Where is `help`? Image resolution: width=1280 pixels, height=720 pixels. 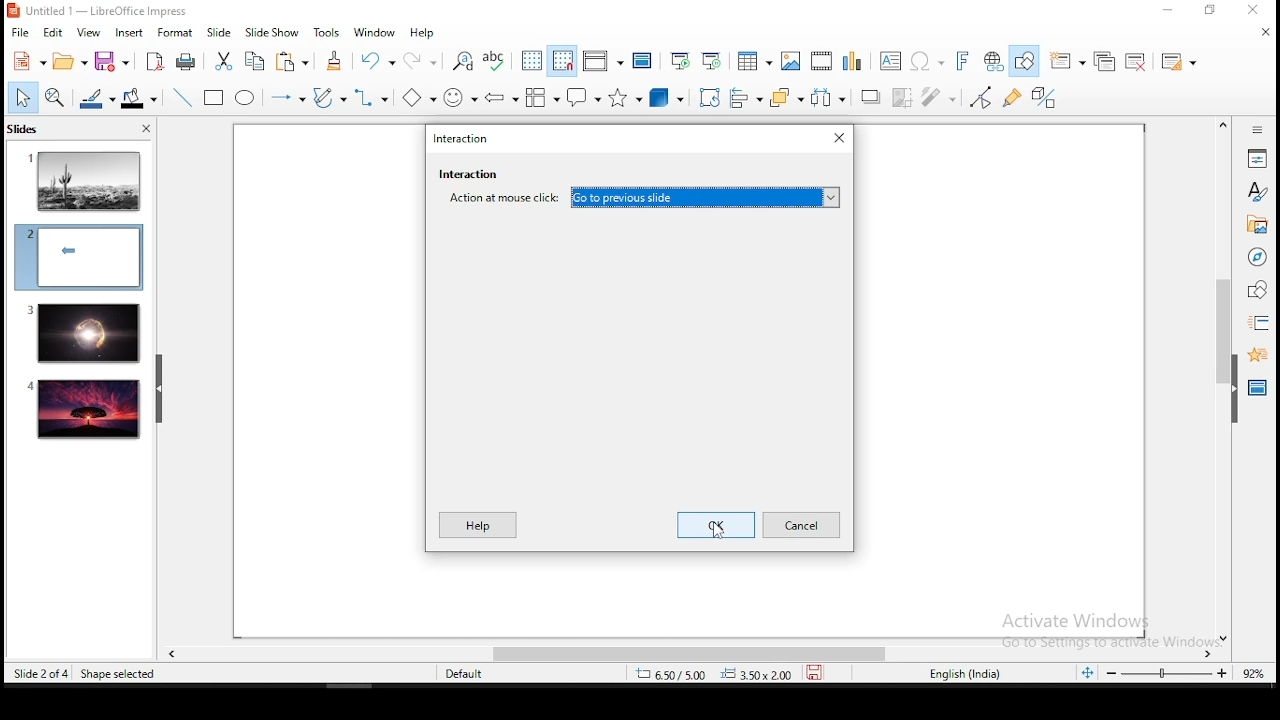
help is located at coordinates (424, 33).